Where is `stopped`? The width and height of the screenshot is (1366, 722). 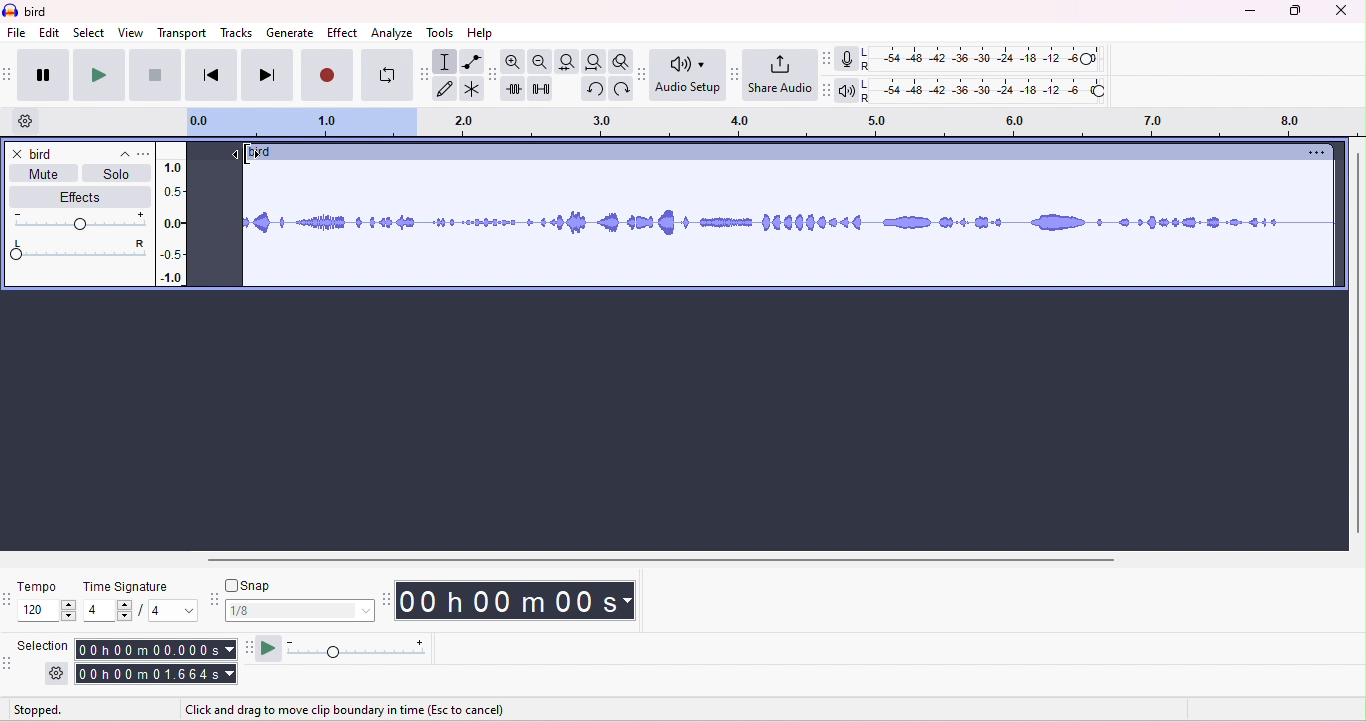 stopped is located at coordinates (39, 711).